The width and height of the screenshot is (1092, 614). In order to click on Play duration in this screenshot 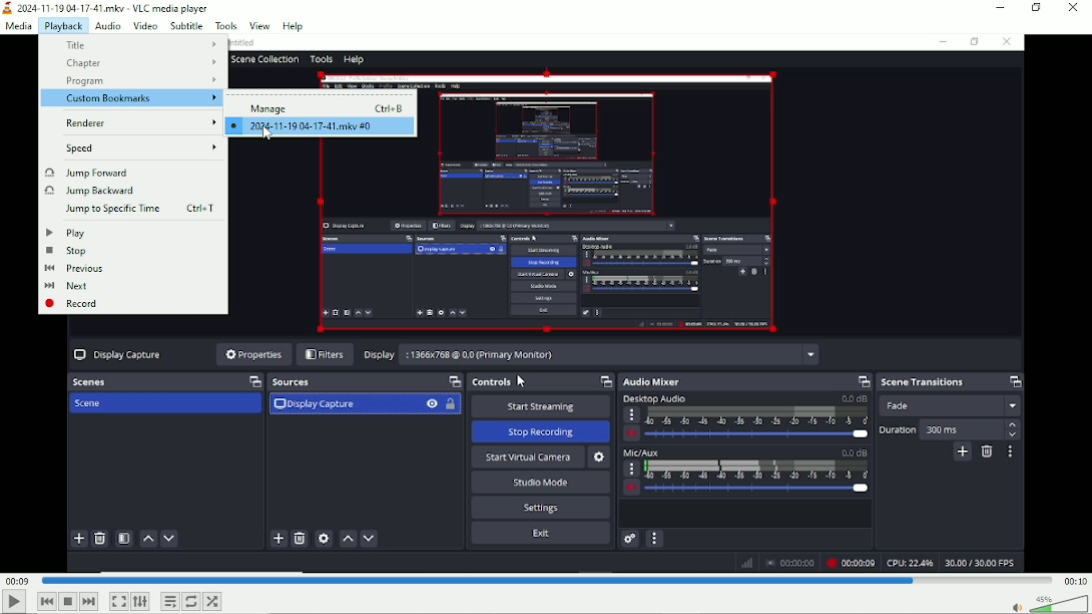, I will do `click(545, 579)`.